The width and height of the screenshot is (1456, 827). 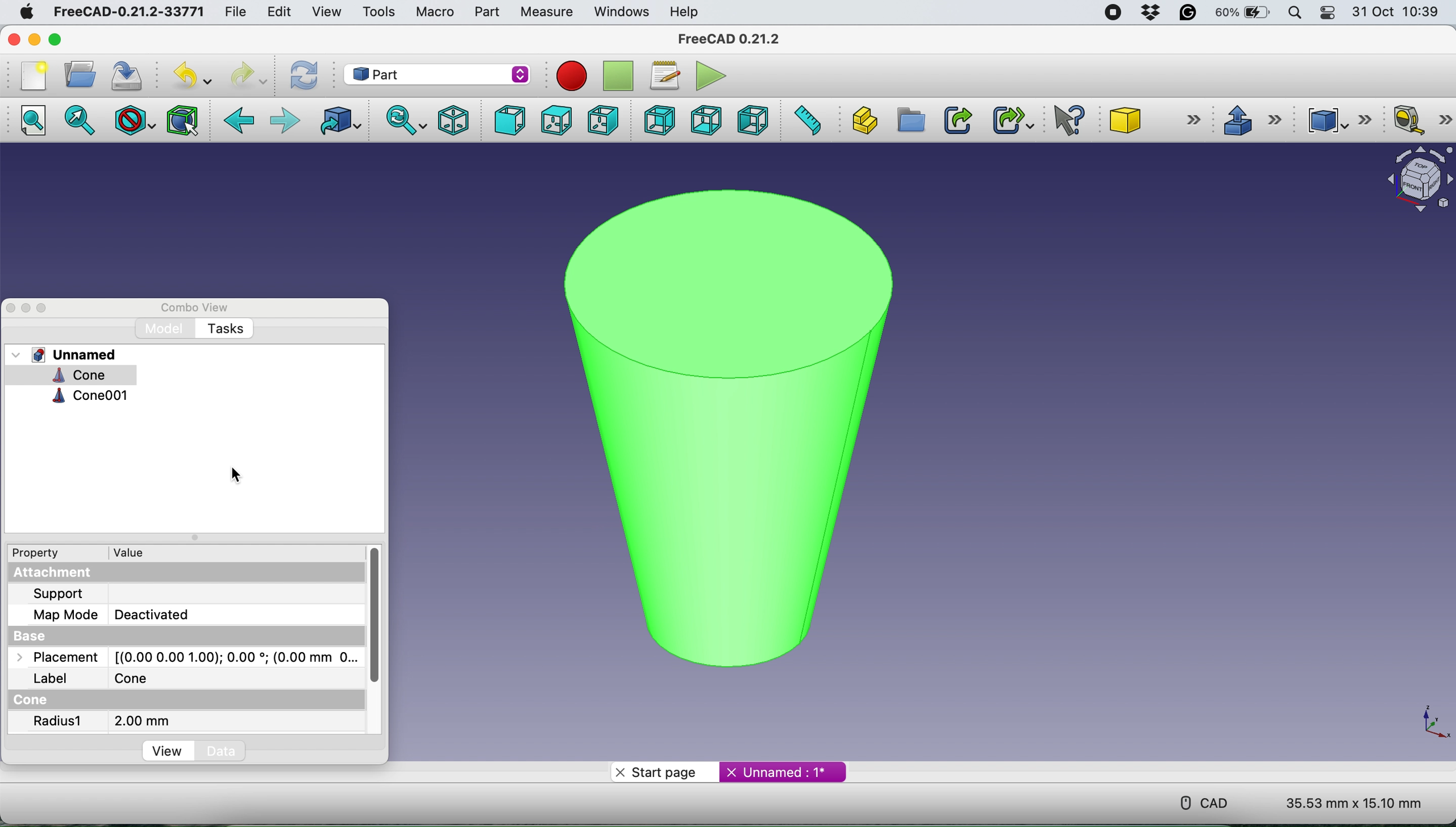 What do you see at coordinates (43, 308) in the screenshot?
I see `maximise` at bounding box center [43, 308].